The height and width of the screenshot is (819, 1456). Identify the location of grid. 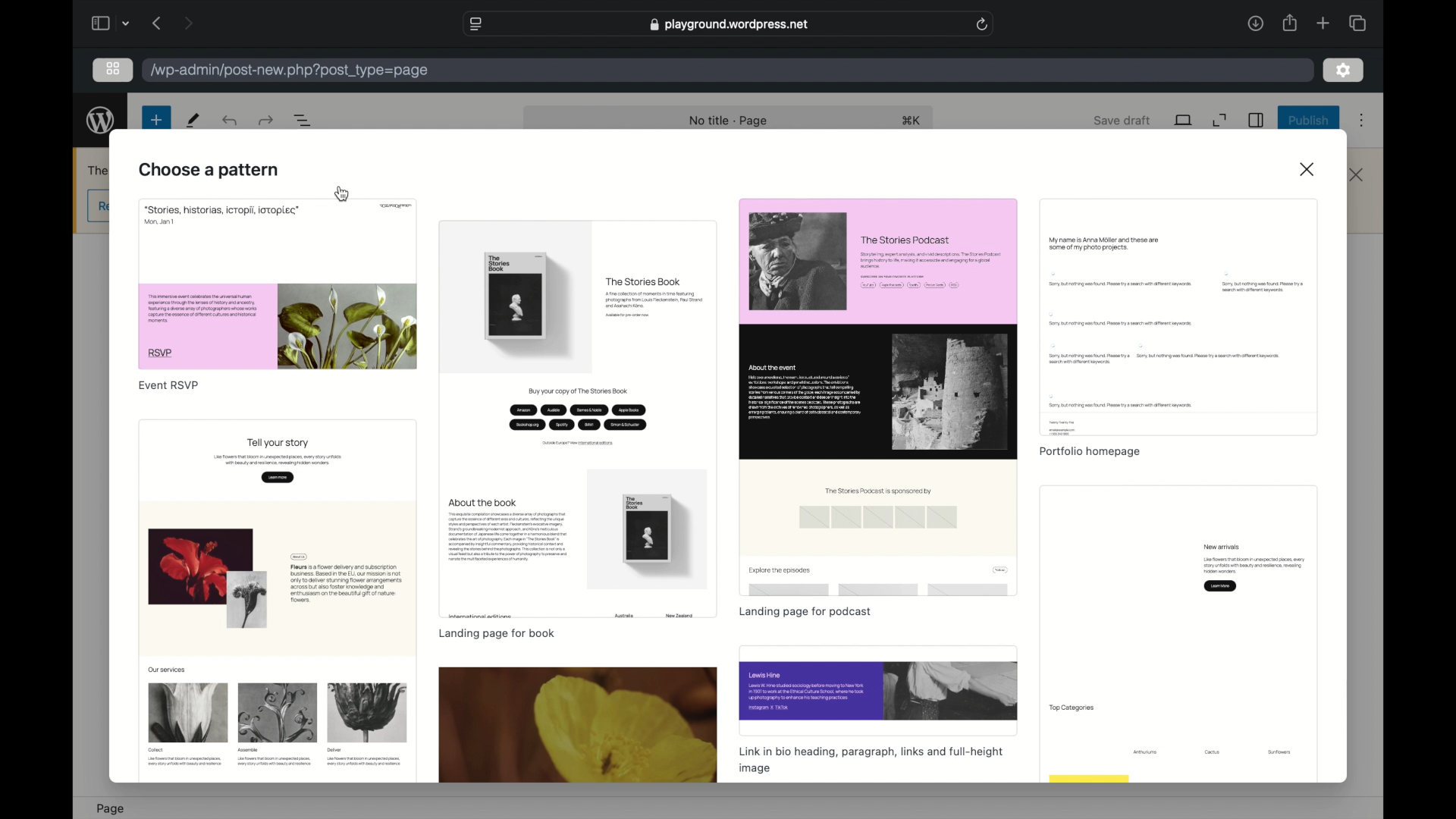
(113, 68).